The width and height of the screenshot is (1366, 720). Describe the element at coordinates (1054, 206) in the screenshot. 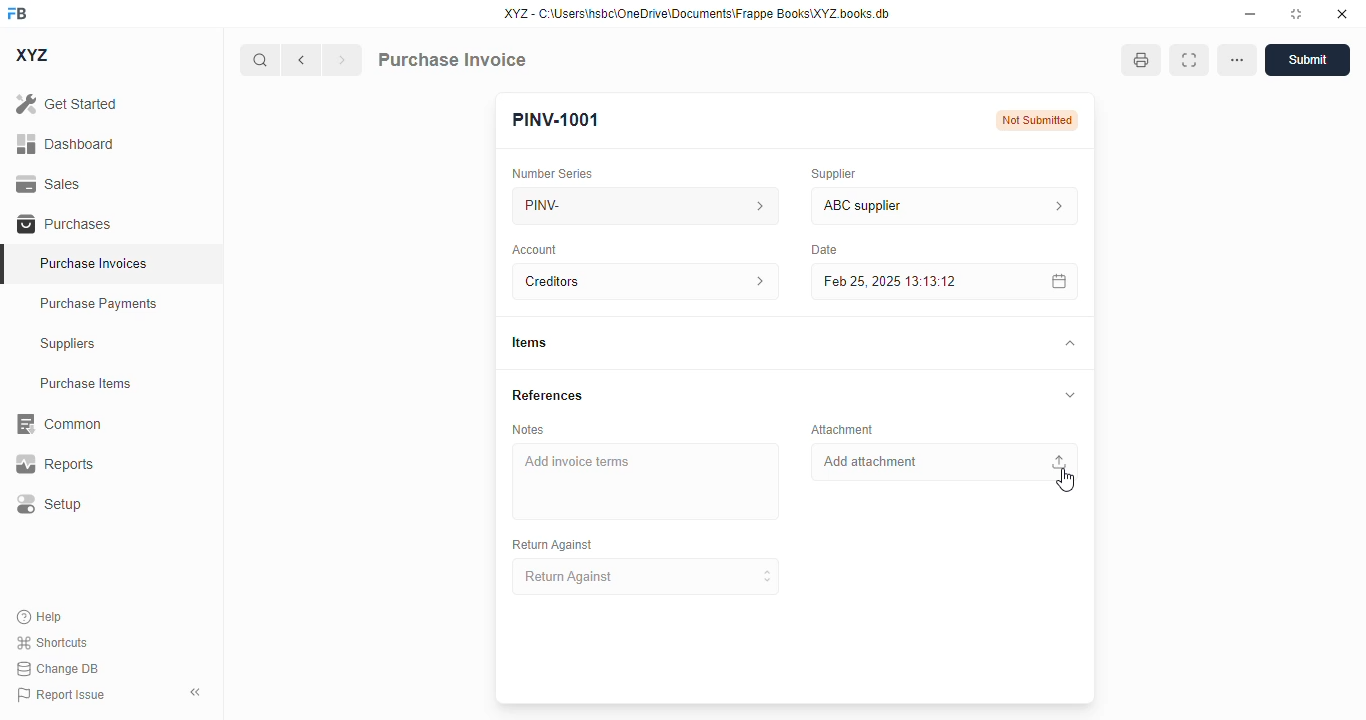

I see `supplier information` at that location.